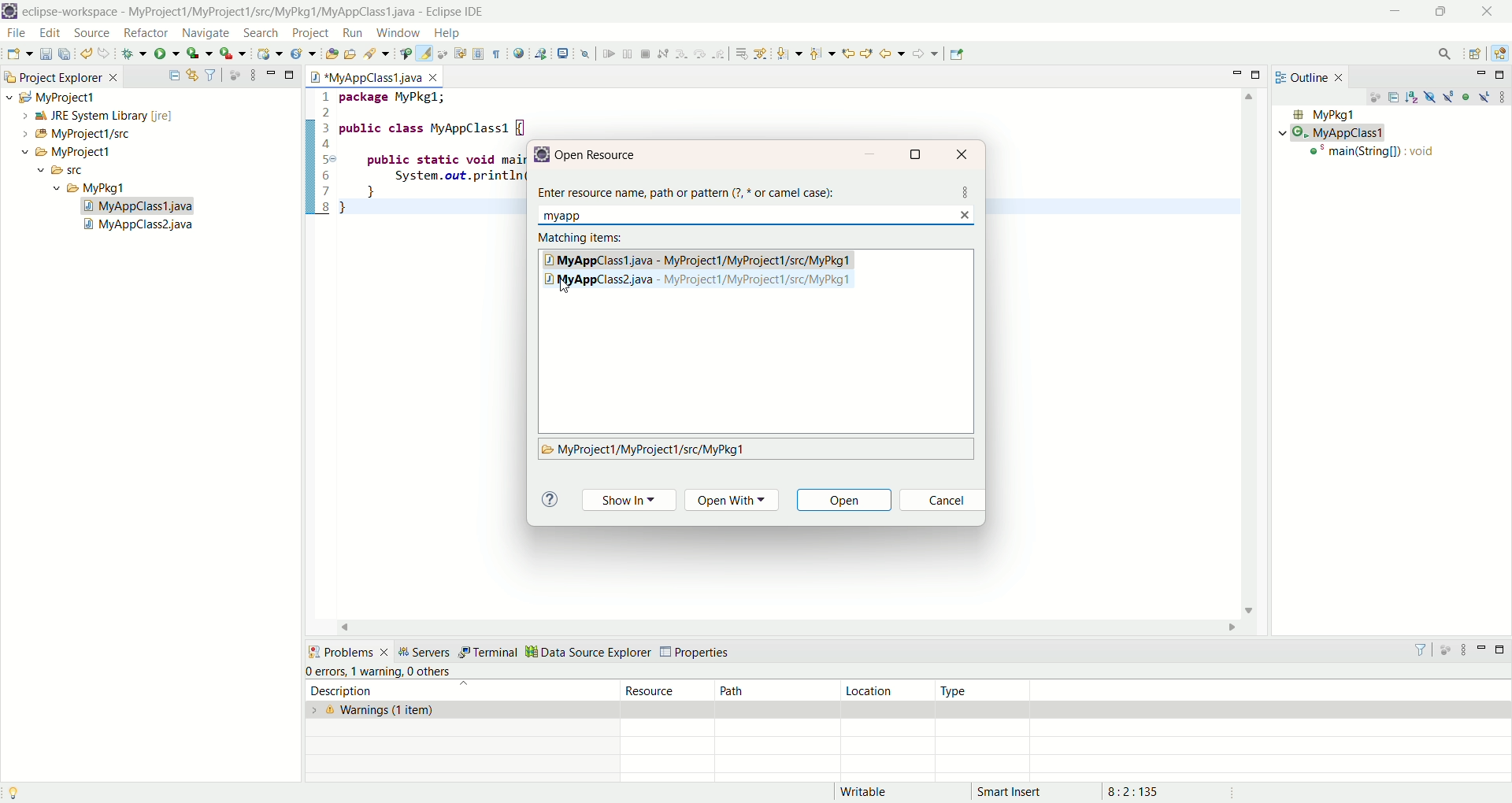  What do you see at coordinates (986, 690) in the screenshot?
I see `type` at bounding box center [986, 690].